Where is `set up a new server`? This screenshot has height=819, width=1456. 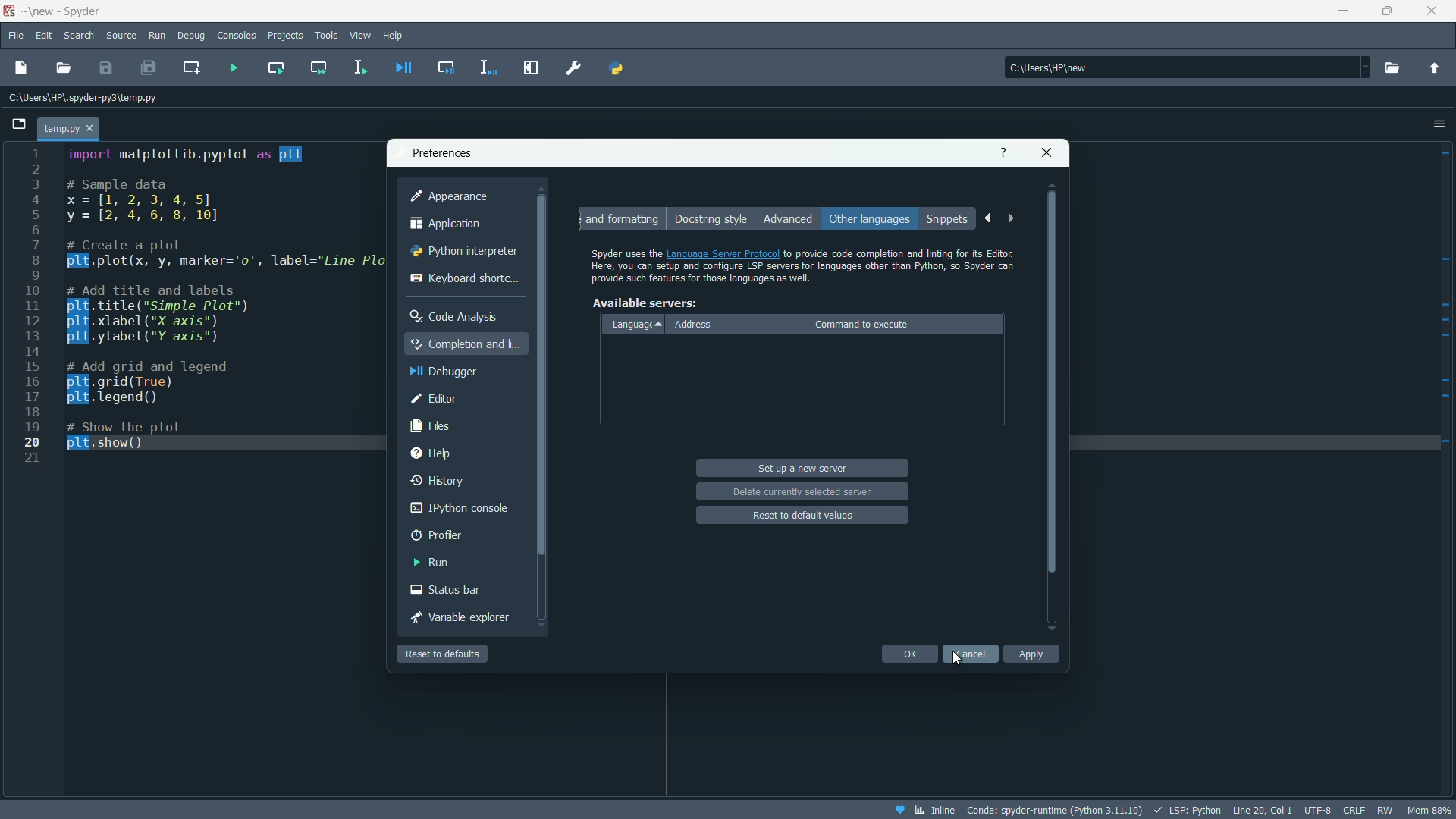
set up a new server is located at coordinates (804, 469).